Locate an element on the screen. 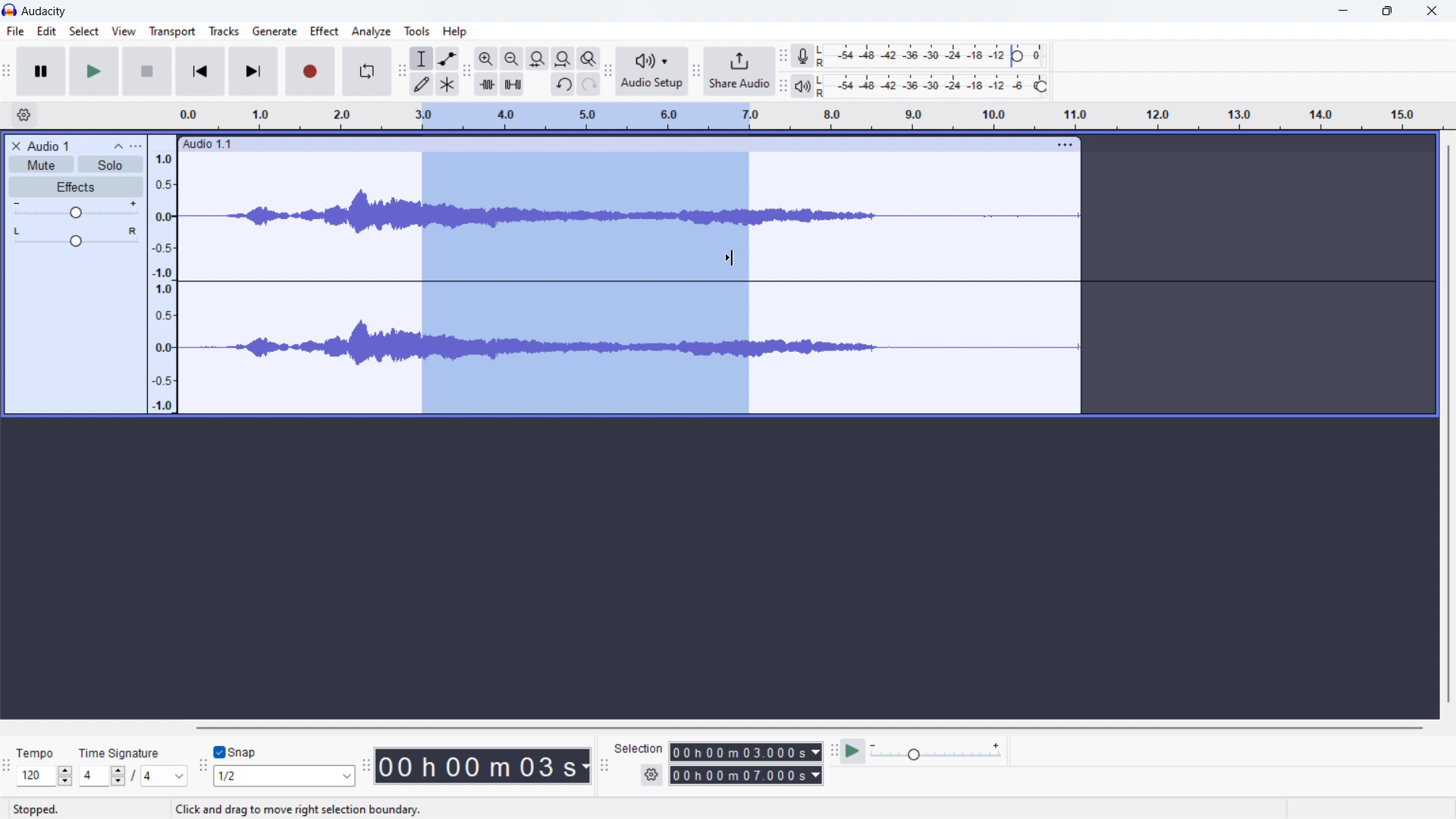 The height and width of the screenshot is (819, 1456). file is located at coordinates (16, 31).